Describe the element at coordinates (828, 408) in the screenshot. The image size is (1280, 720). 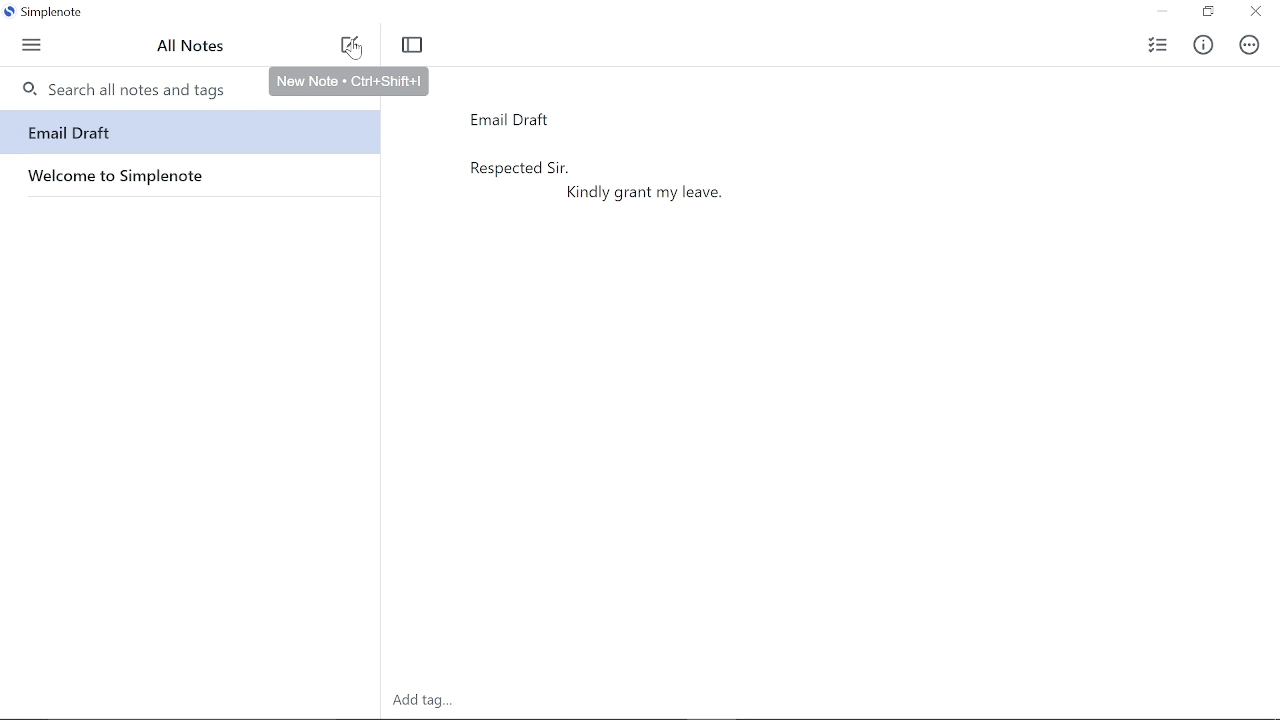
I see `Body of the current note` at that location.